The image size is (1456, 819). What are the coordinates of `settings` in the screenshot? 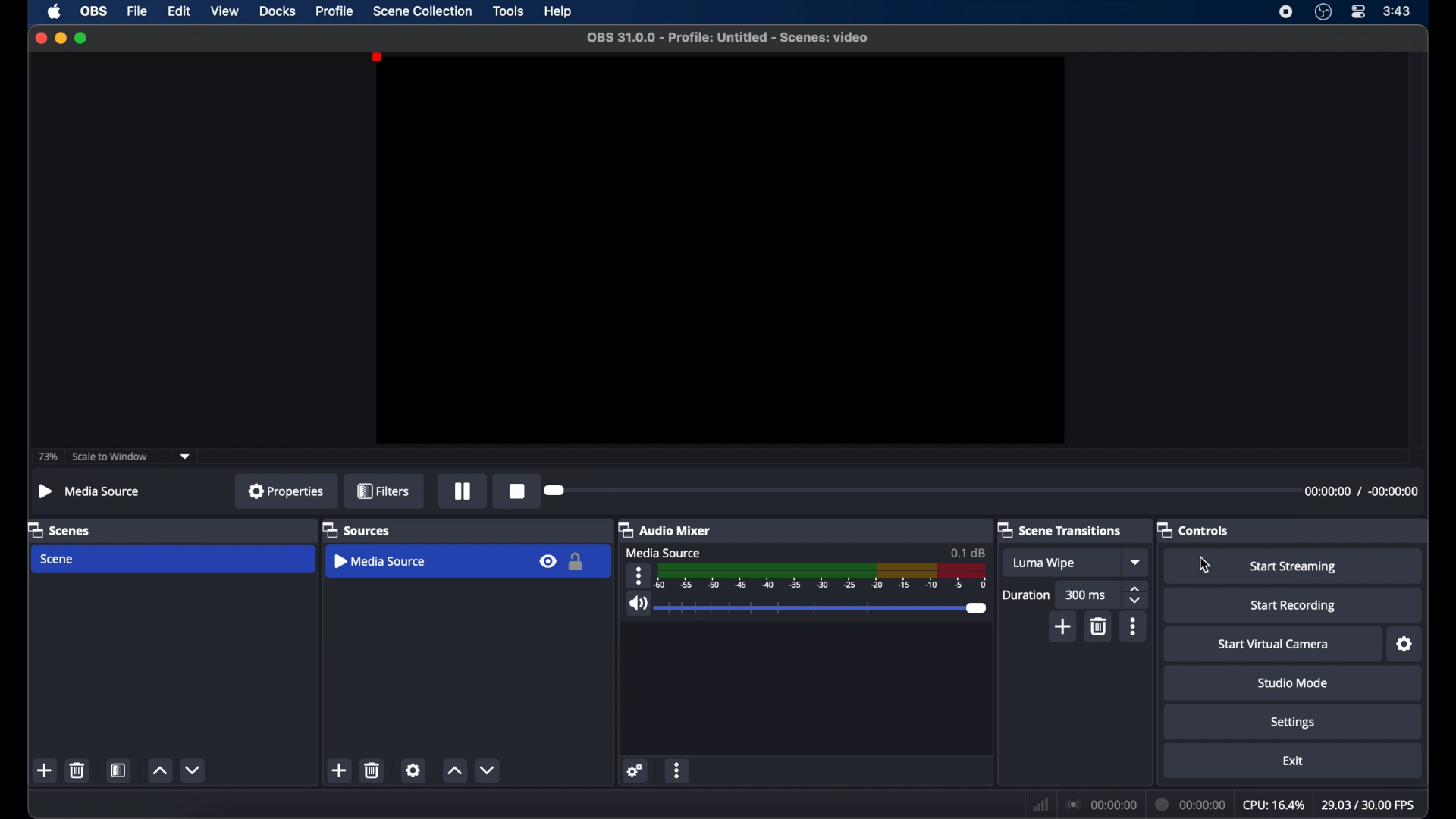 It's located at (413, 770).